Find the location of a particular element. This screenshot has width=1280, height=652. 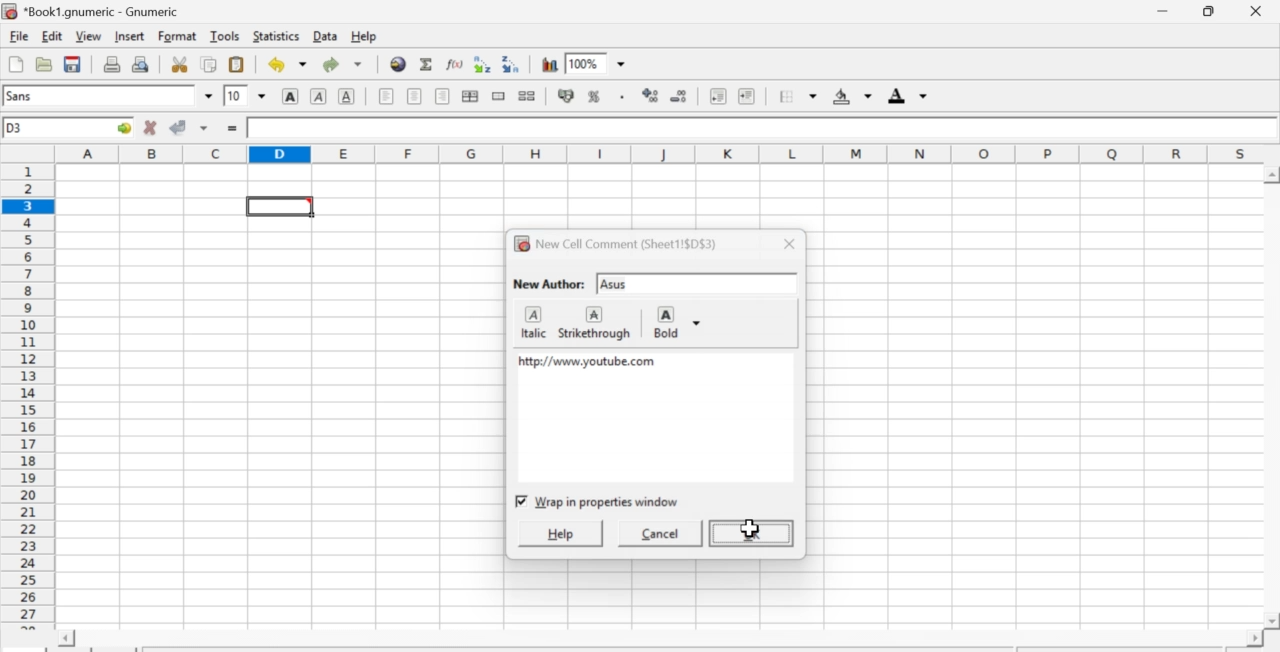

Create new workbook is located at coordinates (13, 65).